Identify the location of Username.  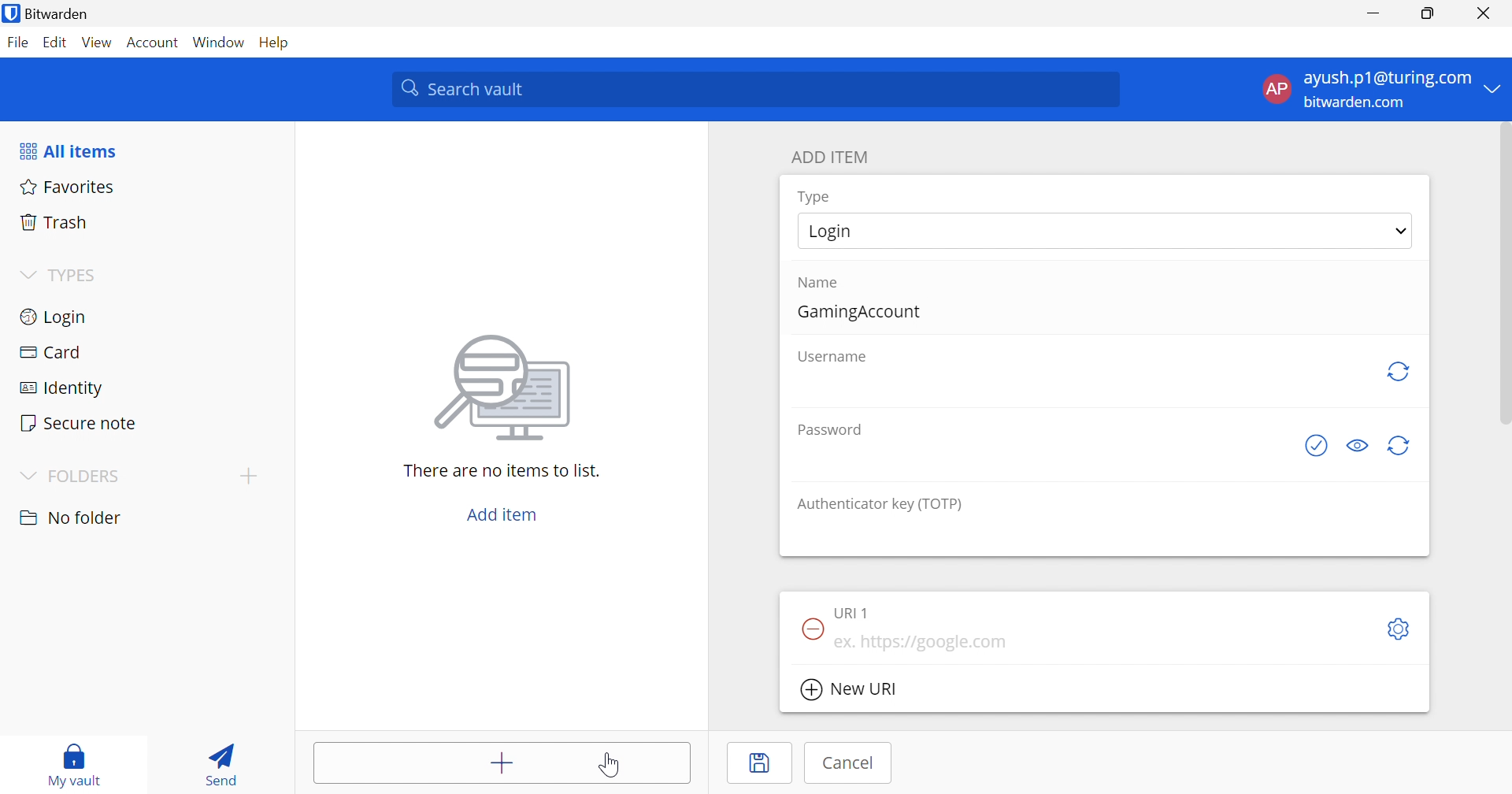
(835, 358).